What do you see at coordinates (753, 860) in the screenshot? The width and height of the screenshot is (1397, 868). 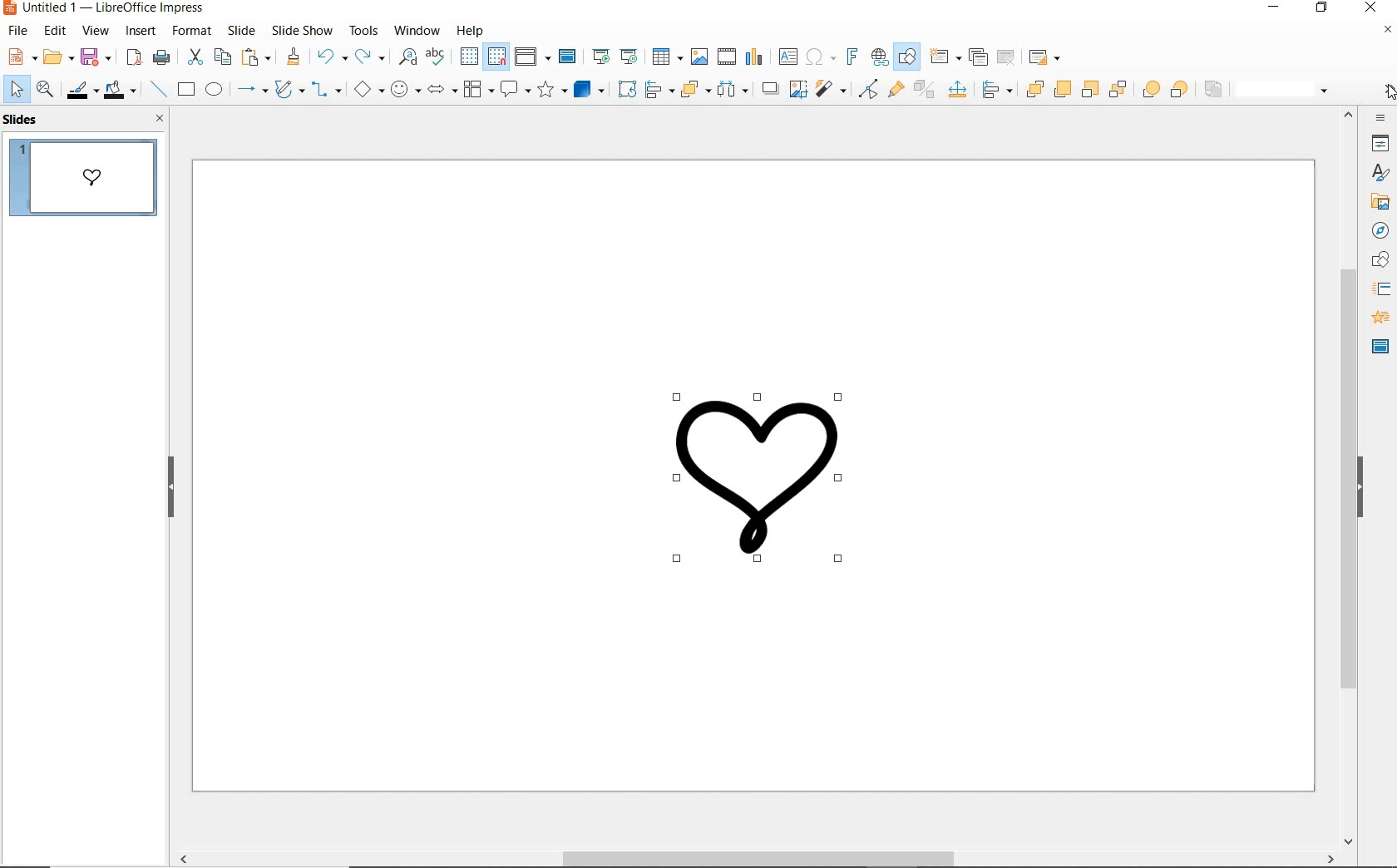 I see `SCROLLBAR` at bounding box center [753, 860].